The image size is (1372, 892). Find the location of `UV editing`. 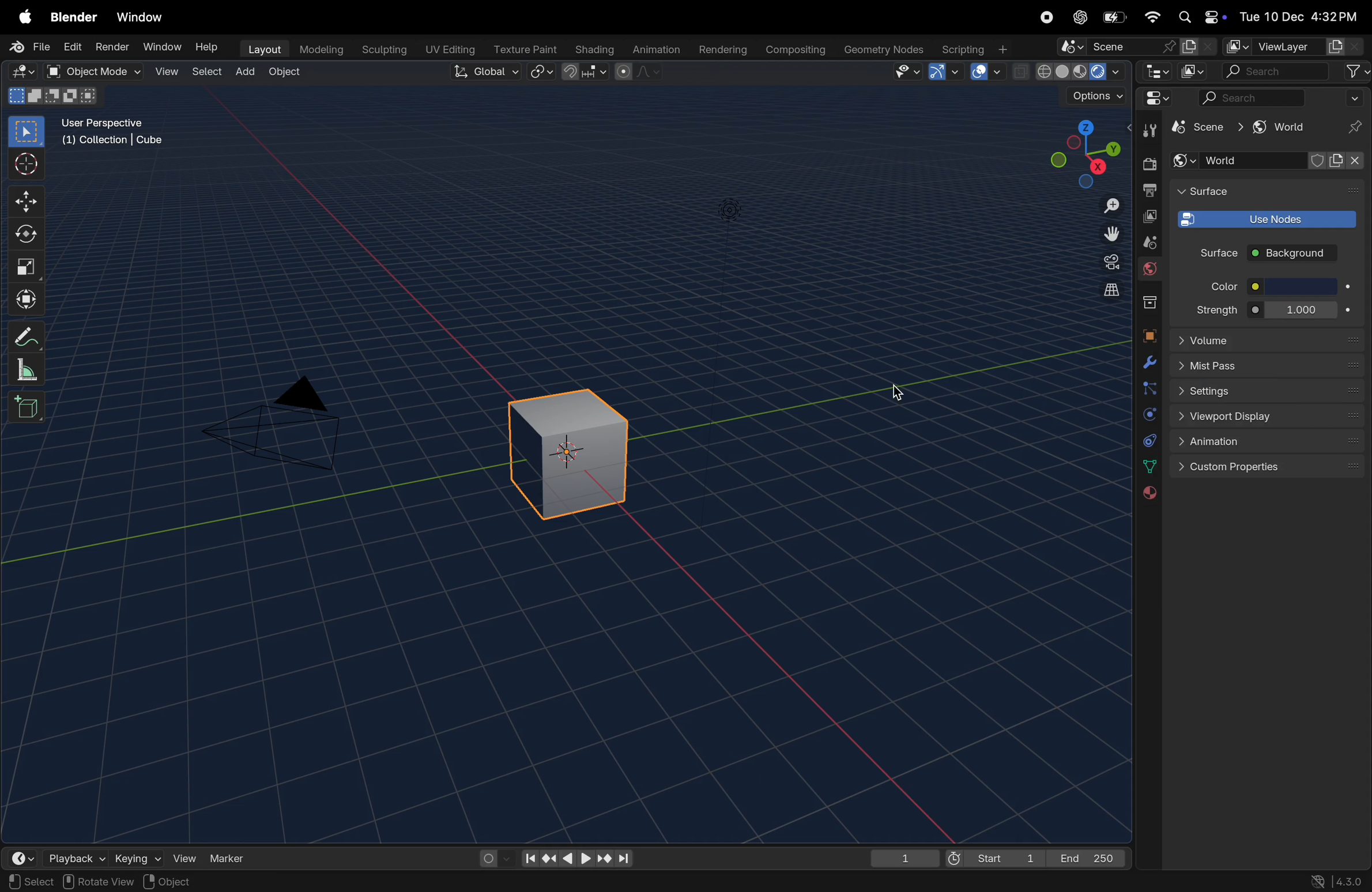

UV editing is located at coordinates (447, 50).